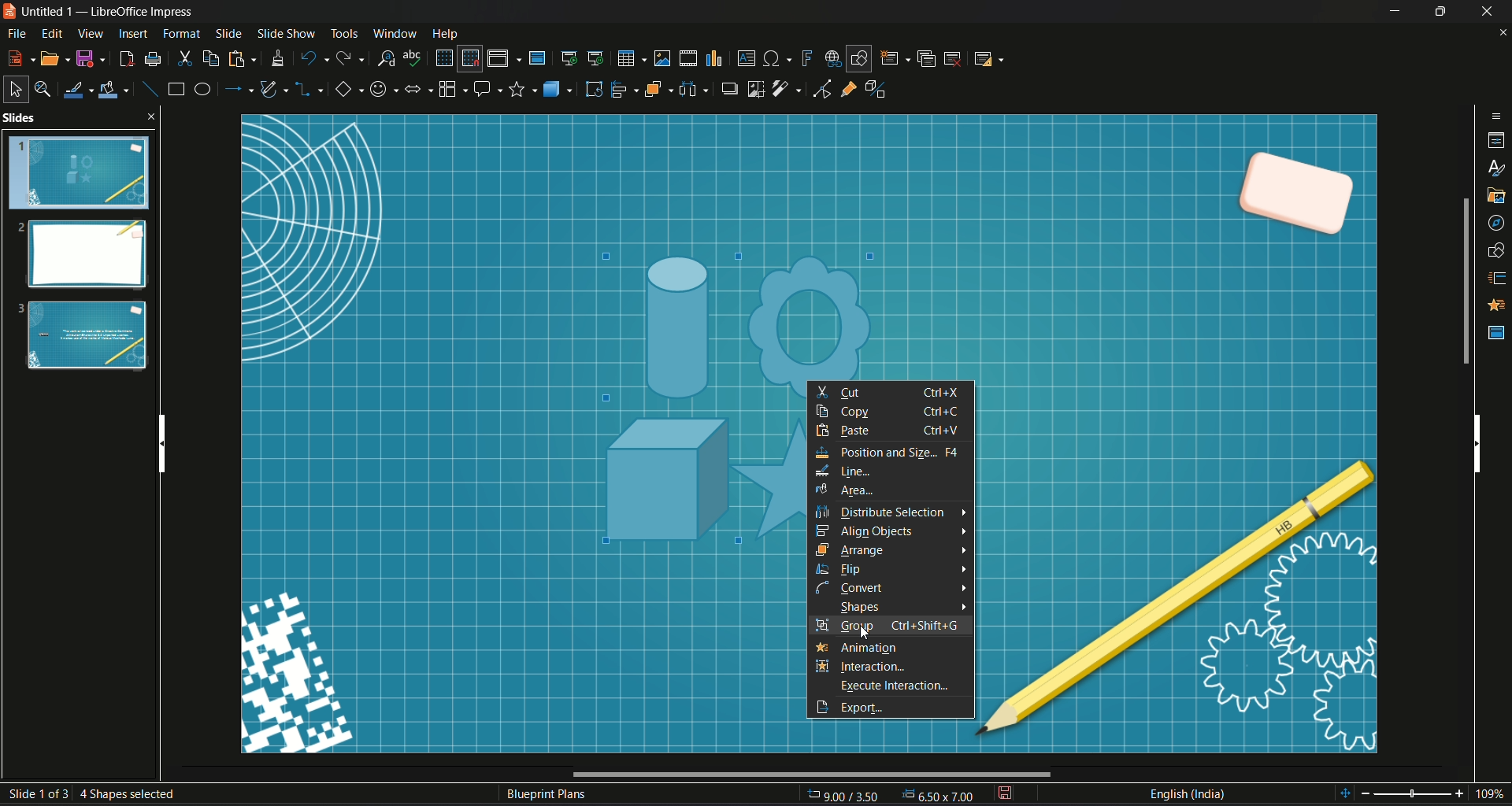 The image size is (1512, 806). Describe the element at coordinates (124, 59) in the screenshot. I see `export` at that location.